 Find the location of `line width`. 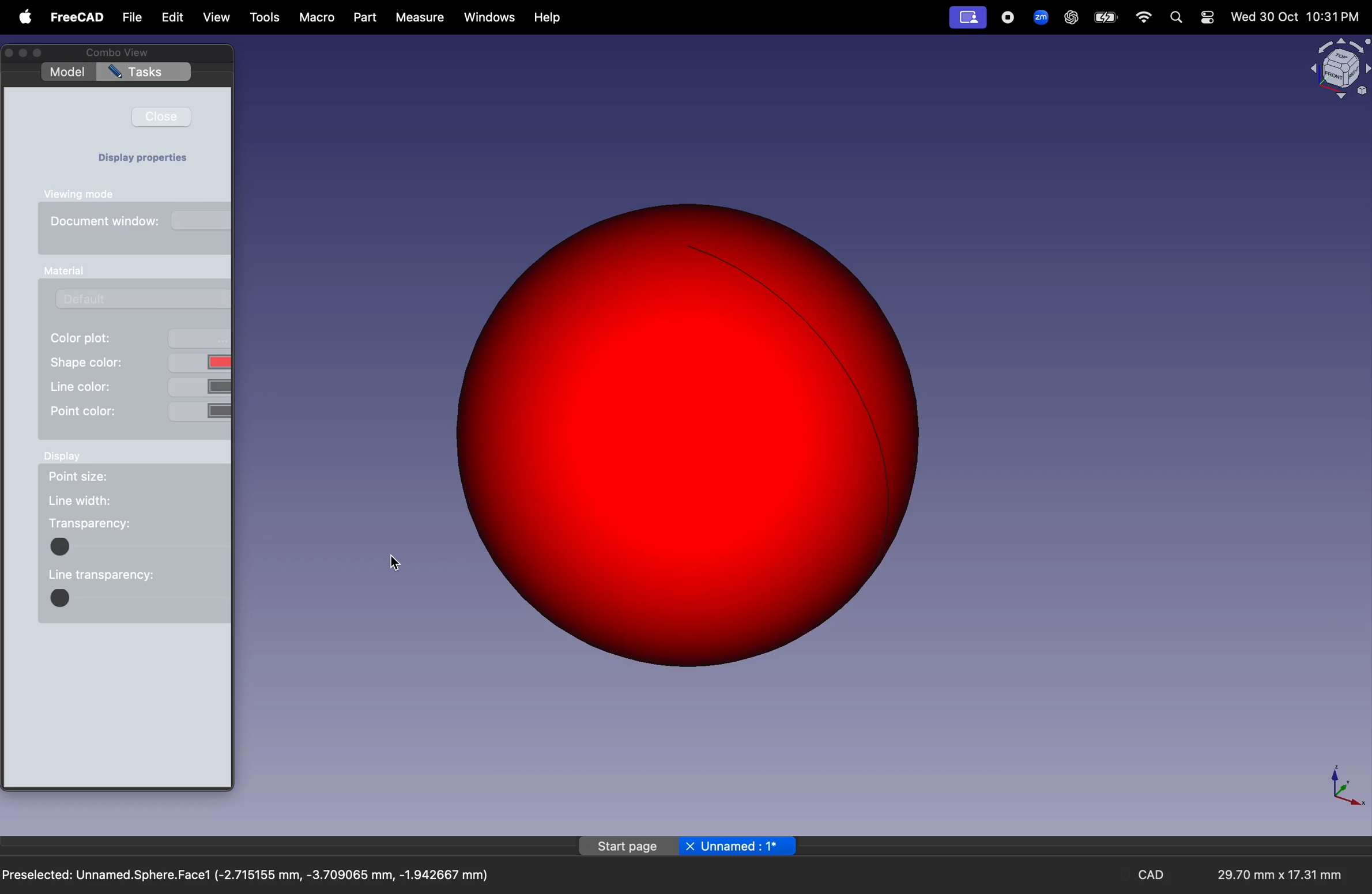

line width is located at coordinates (87, 499).